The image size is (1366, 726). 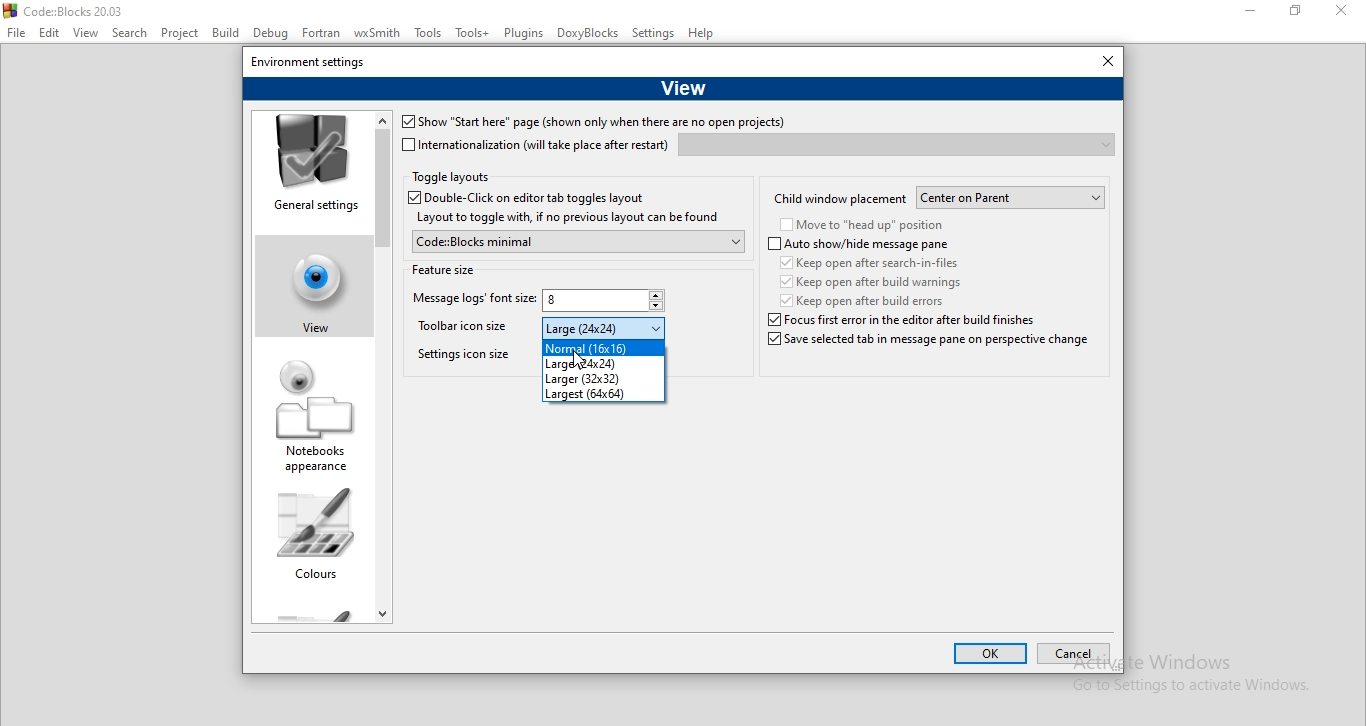 What do you see at coordinates (601, 393) in the screenshot?
I see `largest(64x64)` at bounding box center [601, 393].